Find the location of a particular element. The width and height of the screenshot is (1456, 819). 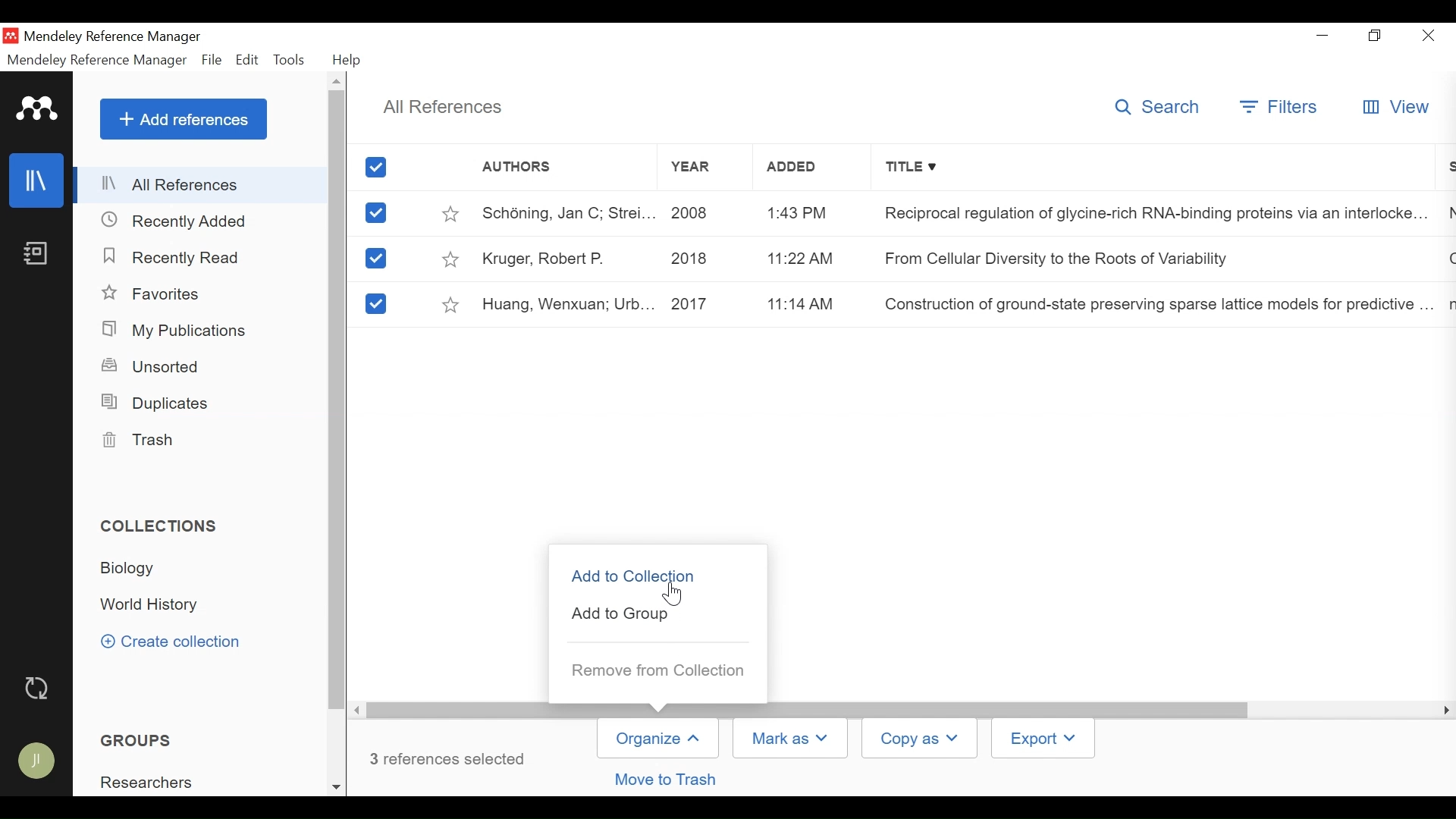

(un)select is located at coordinates (374, 304).